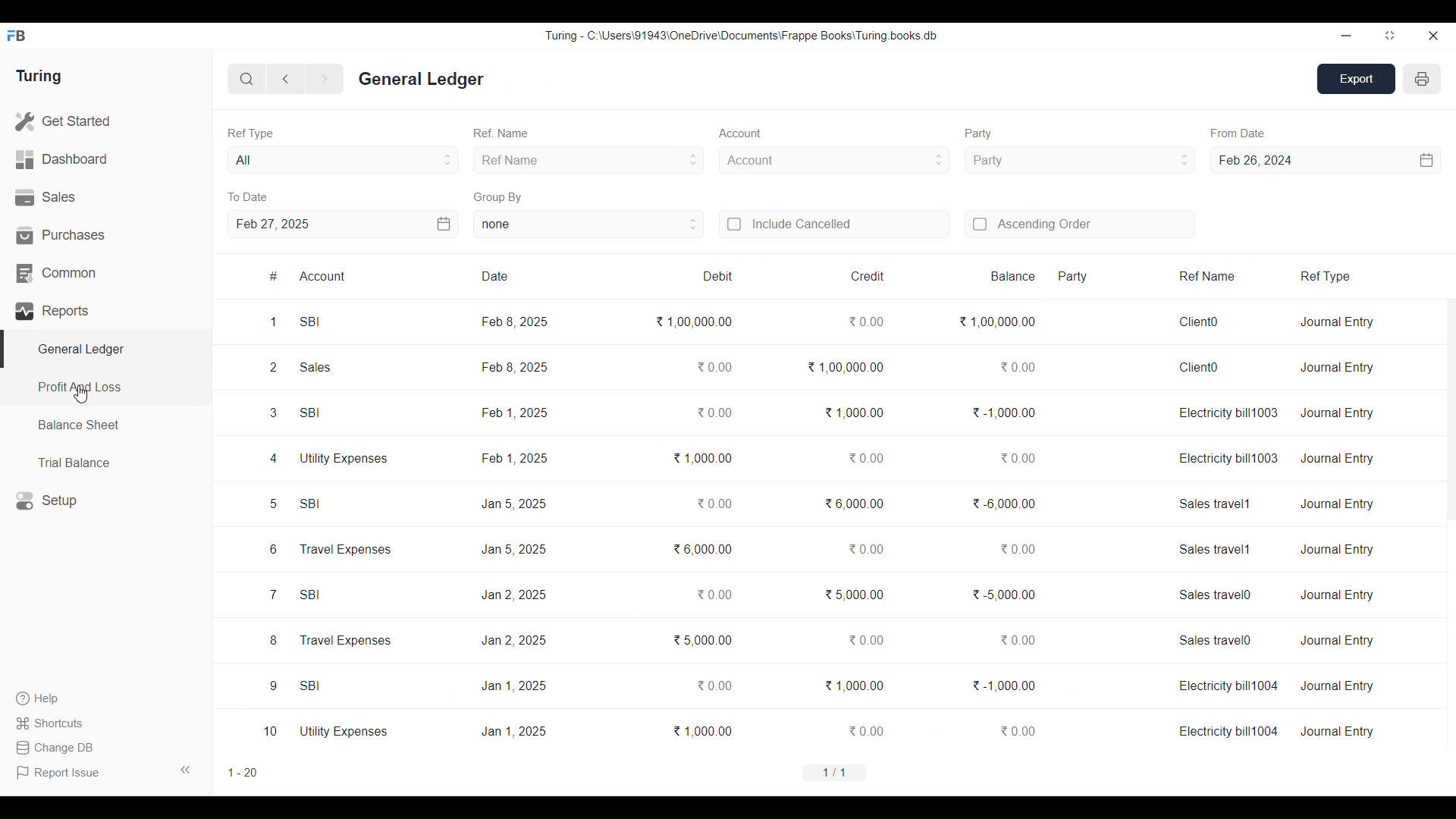 The height and width of the screenshot is (819, 1456). I want to click on -5,000.00, so click(1005, 594).